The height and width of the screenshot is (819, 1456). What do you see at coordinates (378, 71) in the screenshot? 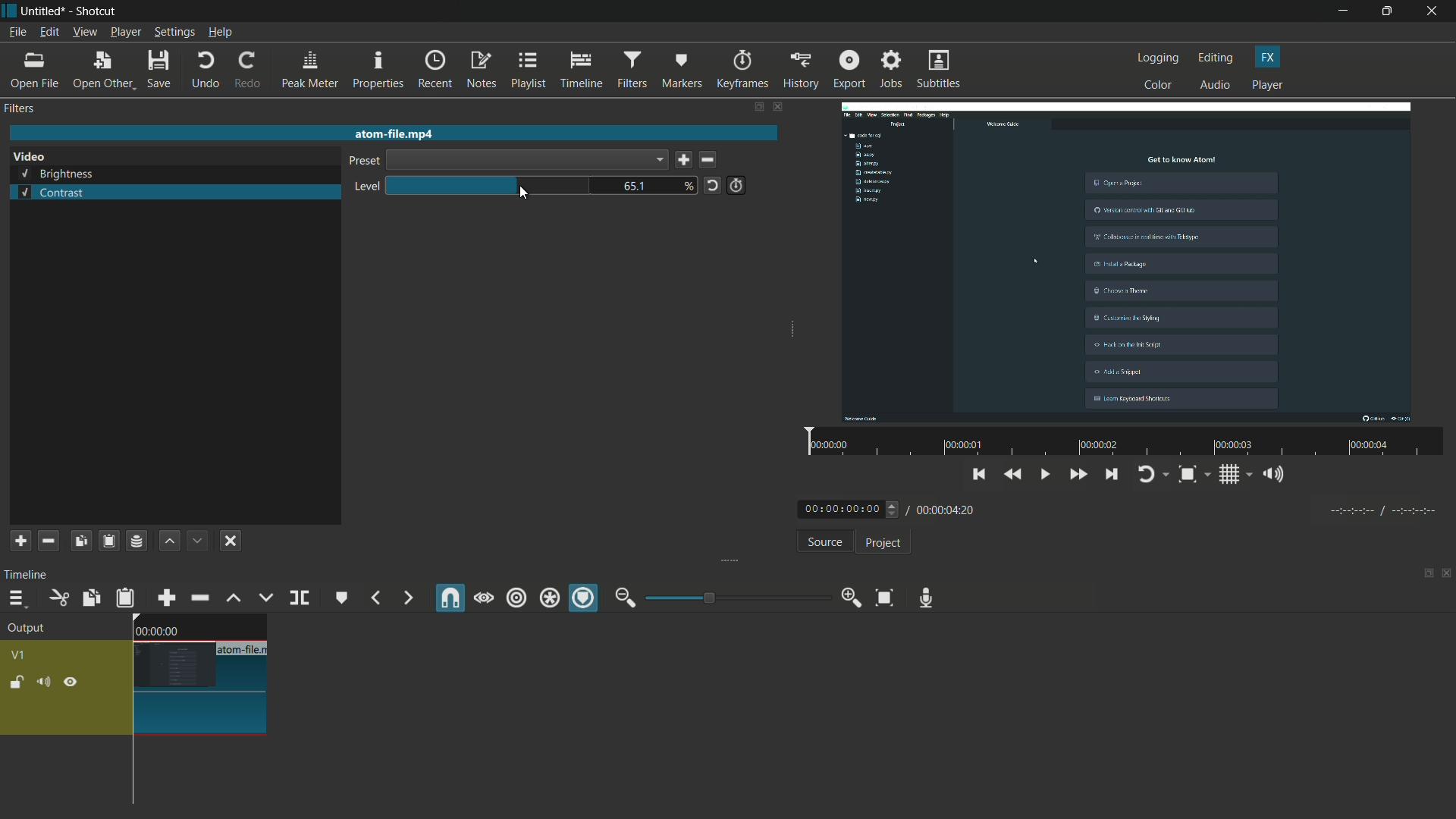
I see `properties` at bounding box center [378, 71].